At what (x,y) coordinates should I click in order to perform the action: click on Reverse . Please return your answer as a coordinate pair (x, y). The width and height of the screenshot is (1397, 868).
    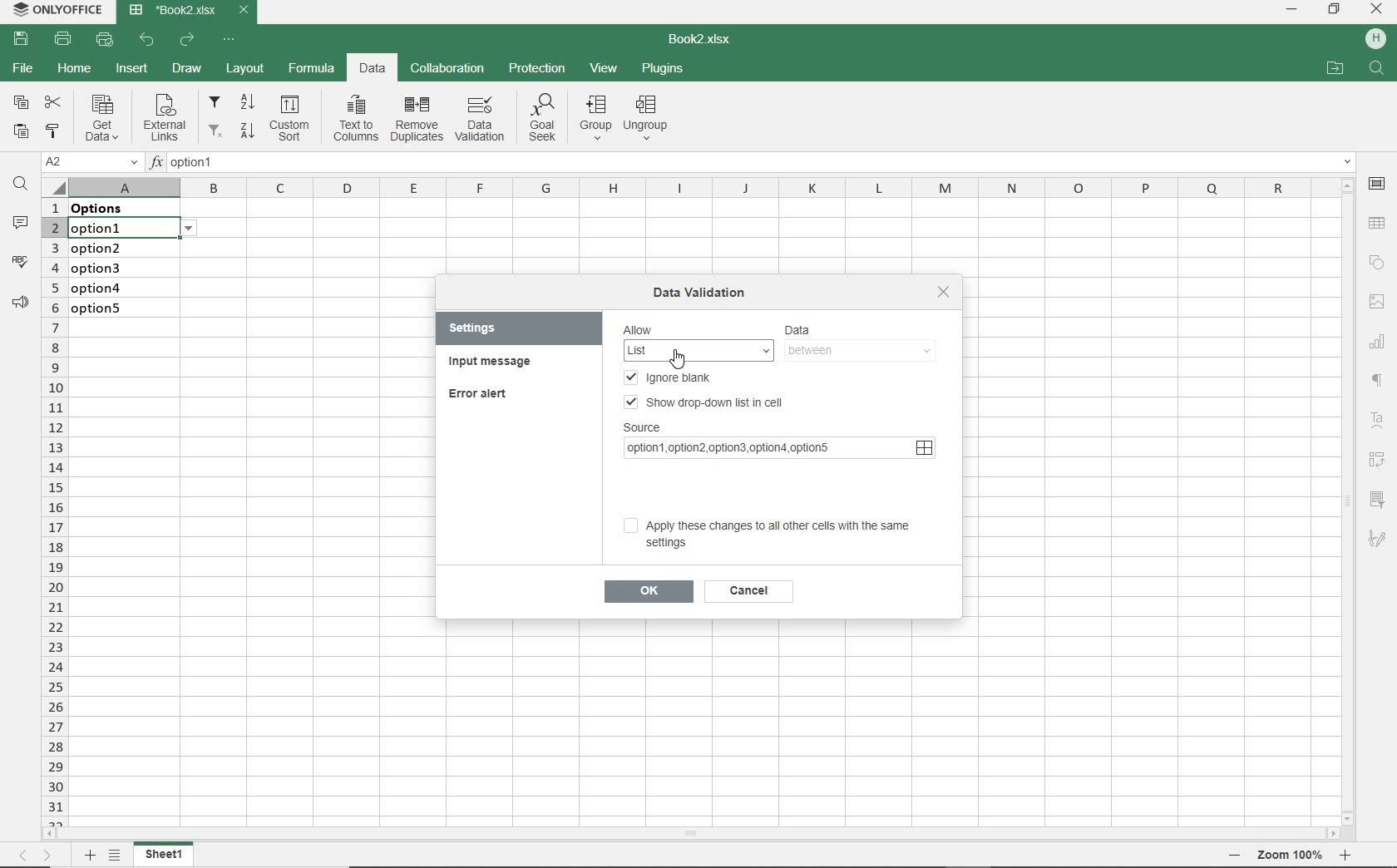
    Looking at the image, I should click on (1381, 460).